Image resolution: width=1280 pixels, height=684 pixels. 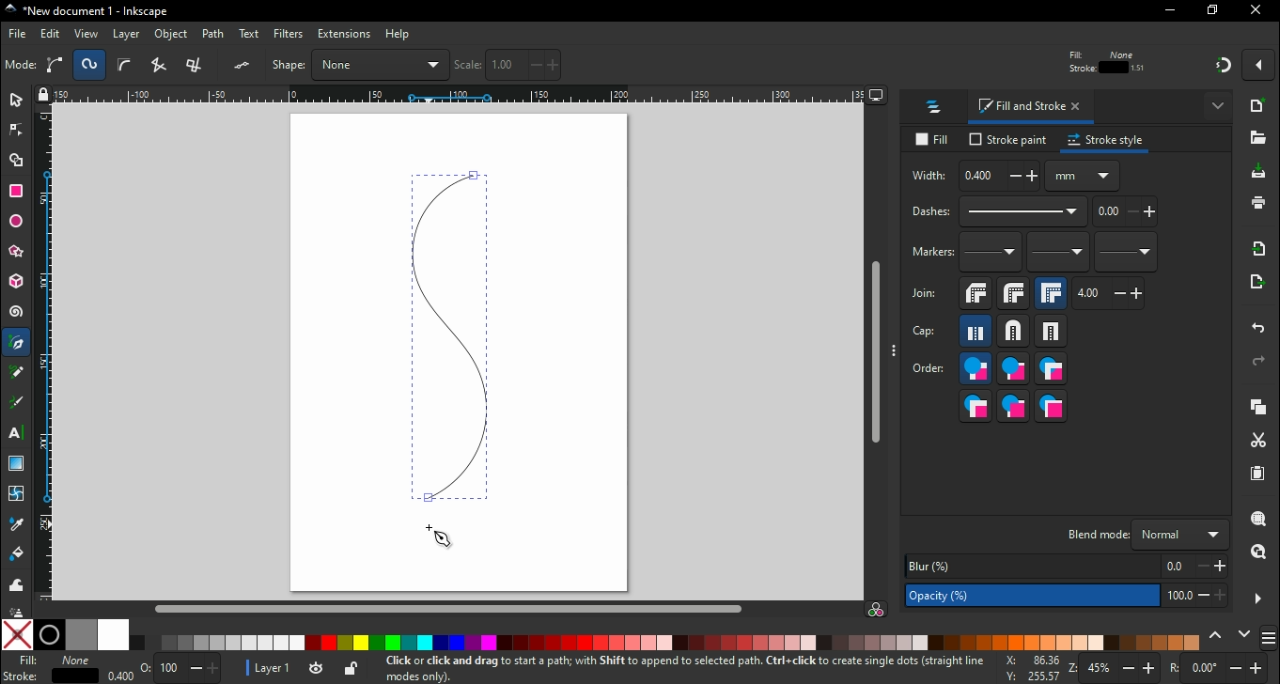 I want to click on dropper tool, so click(x=14, y=524).